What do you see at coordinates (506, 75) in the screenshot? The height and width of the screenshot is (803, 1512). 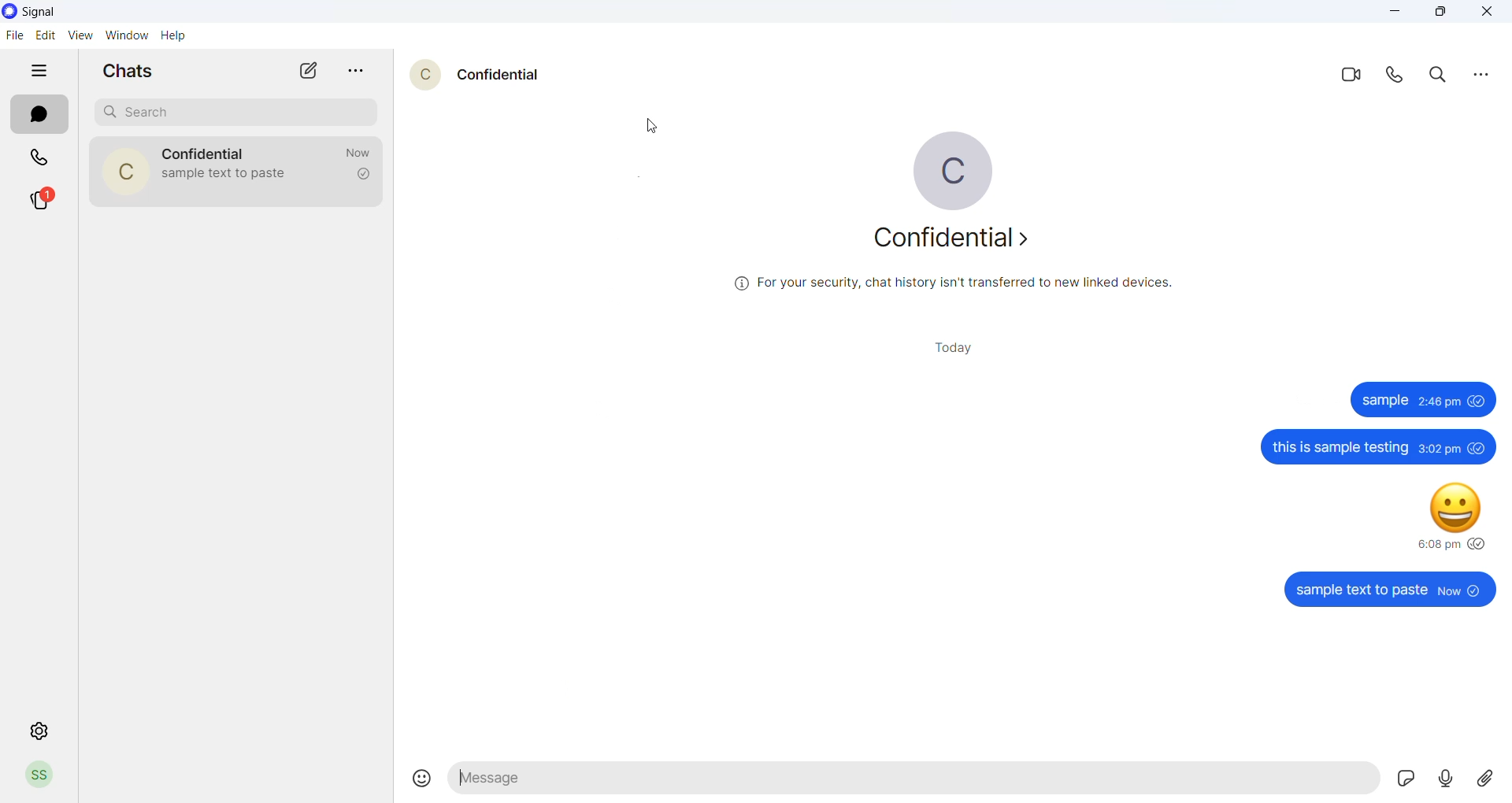 I see `contact name` at bounding box center [506, 75].